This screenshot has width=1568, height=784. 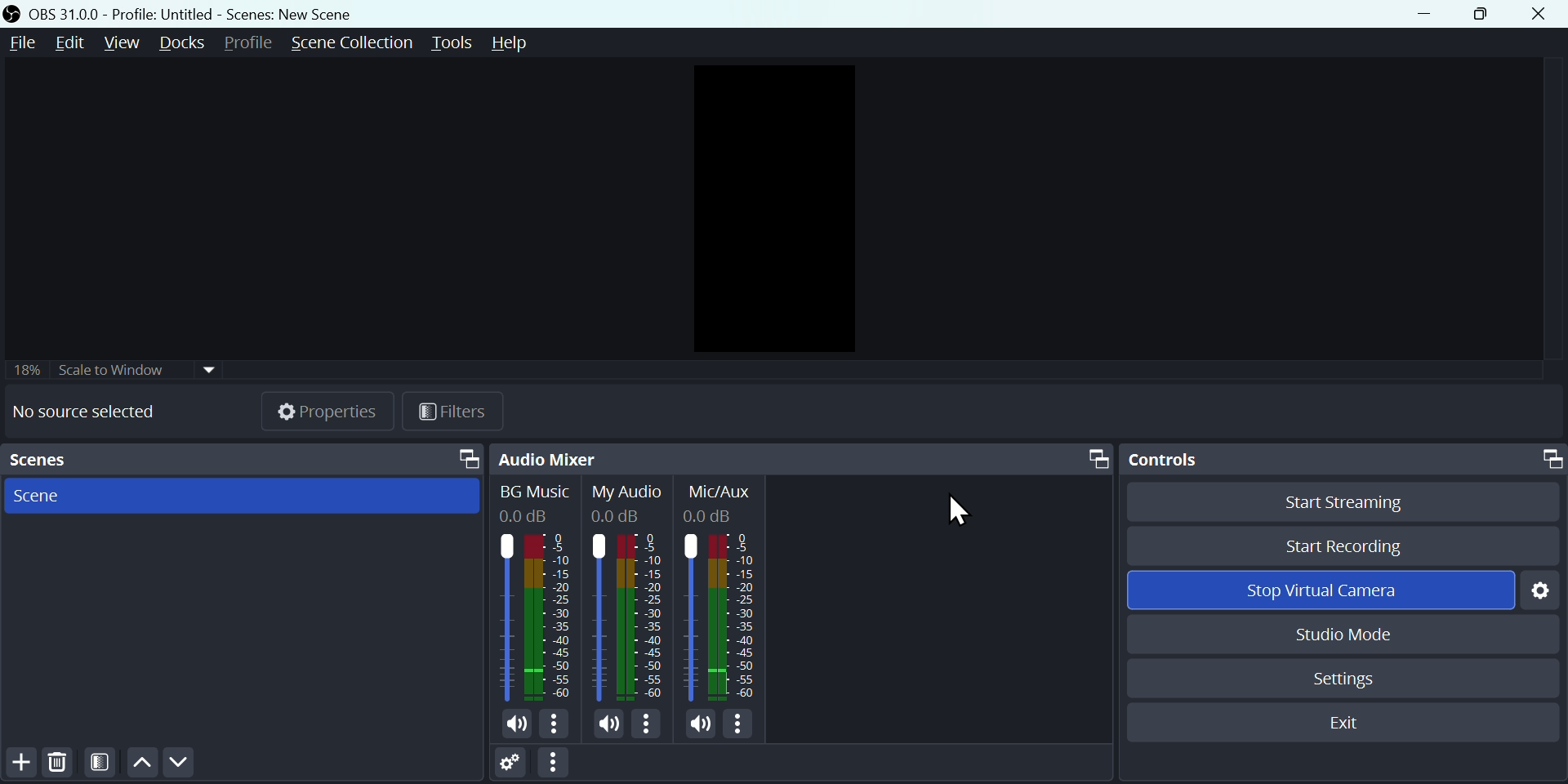 What do you see at coordinates (253, 42) in the screenshot?
I see `Profile` at bounding box center [253, 42].